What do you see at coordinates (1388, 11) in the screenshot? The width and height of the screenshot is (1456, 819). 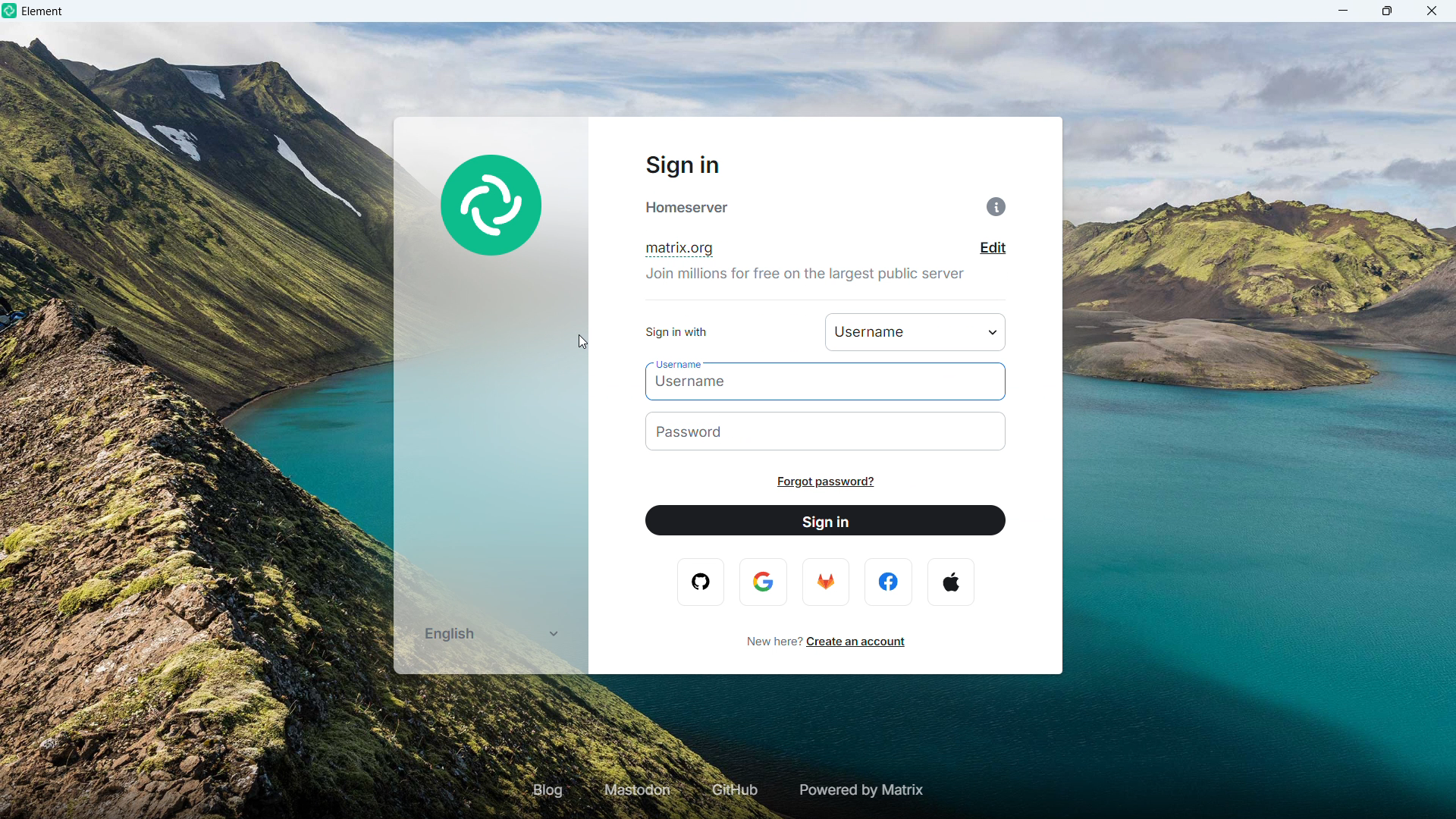 I see `maximize` at bounding box center [1388, 11].